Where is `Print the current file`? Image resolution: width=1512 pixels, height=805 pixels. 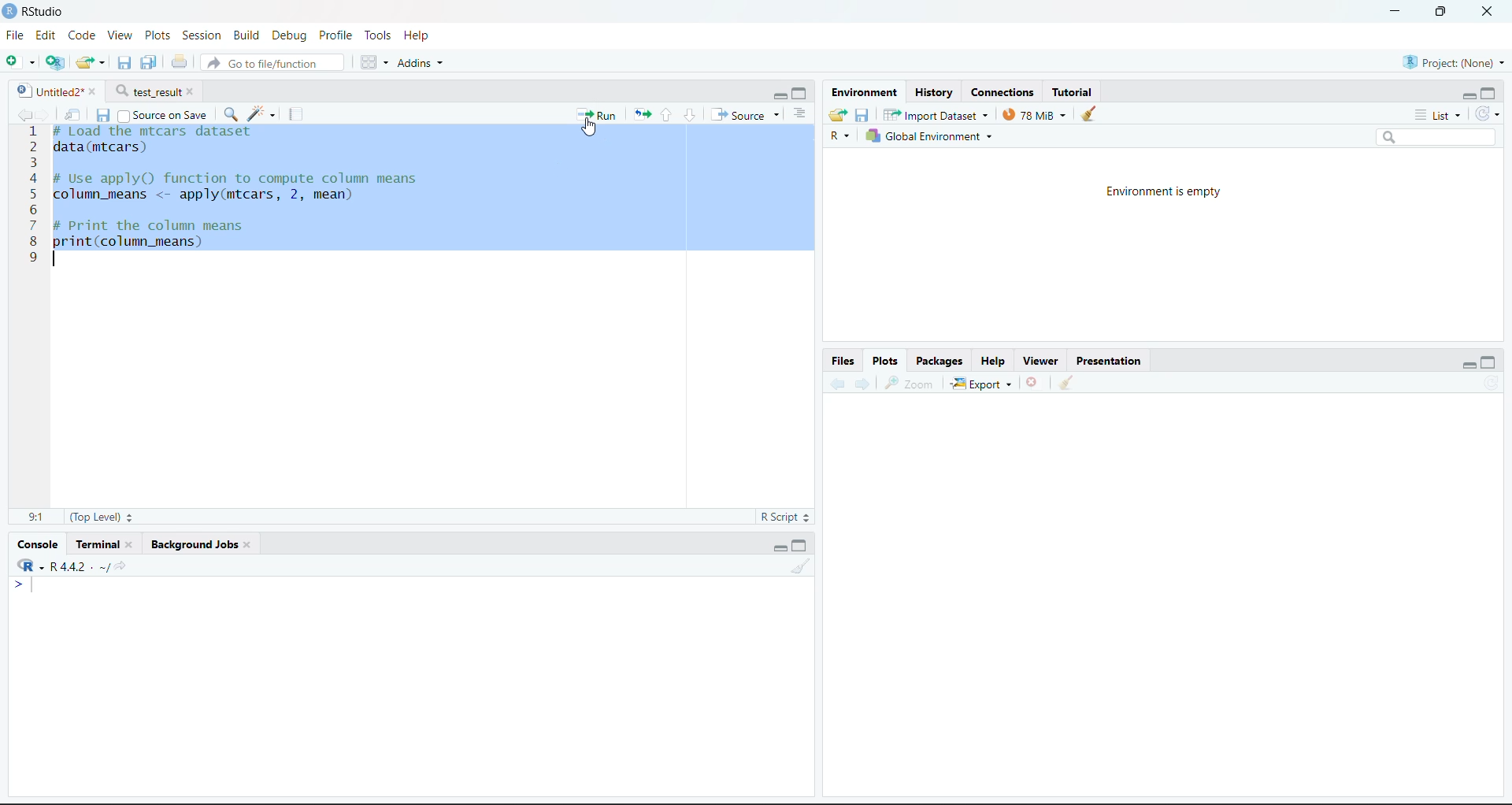
Print the current file is located at coordinates (180, 59).